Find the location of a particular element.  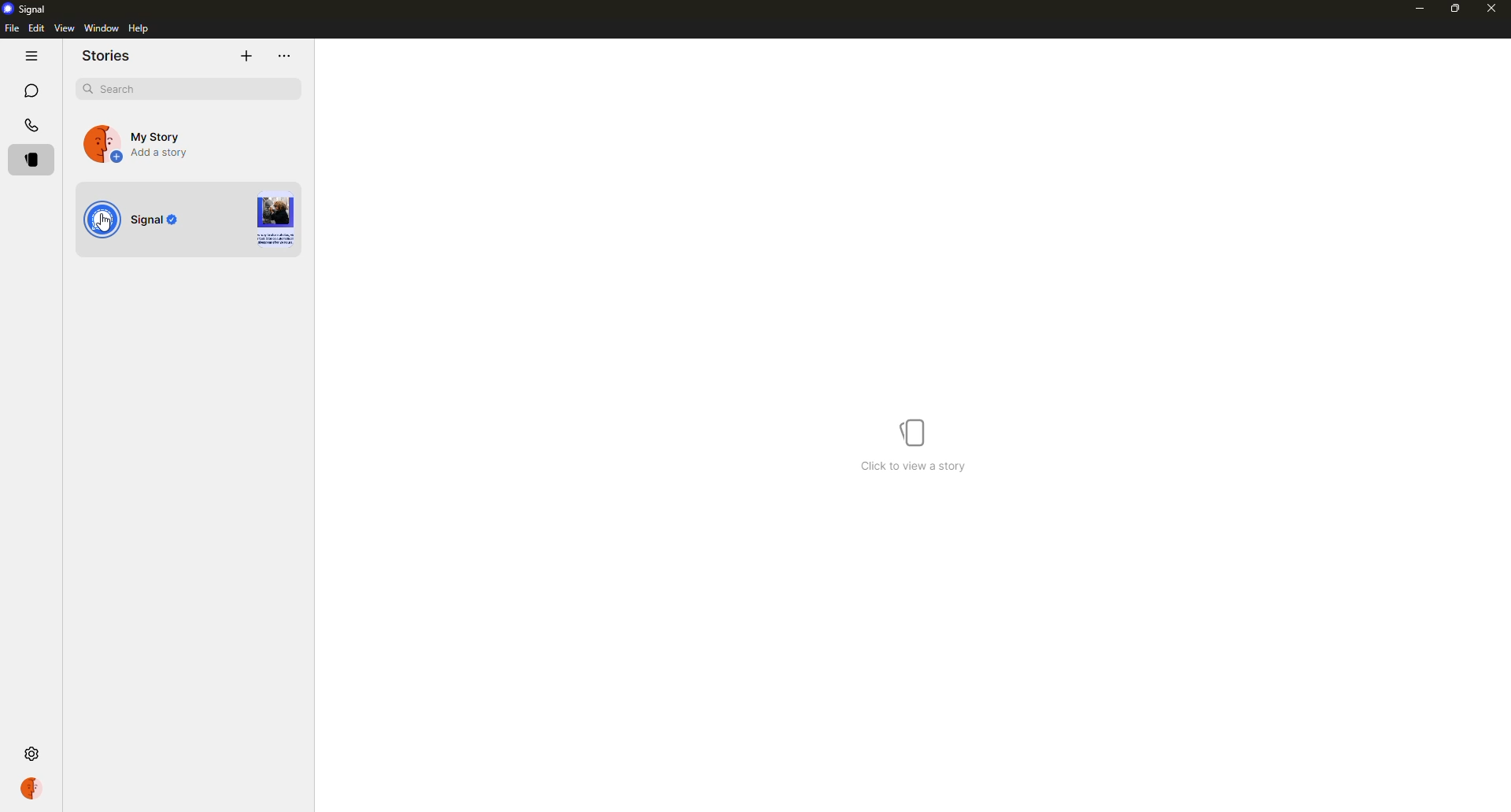

close is located at coordinates (1492, 8).